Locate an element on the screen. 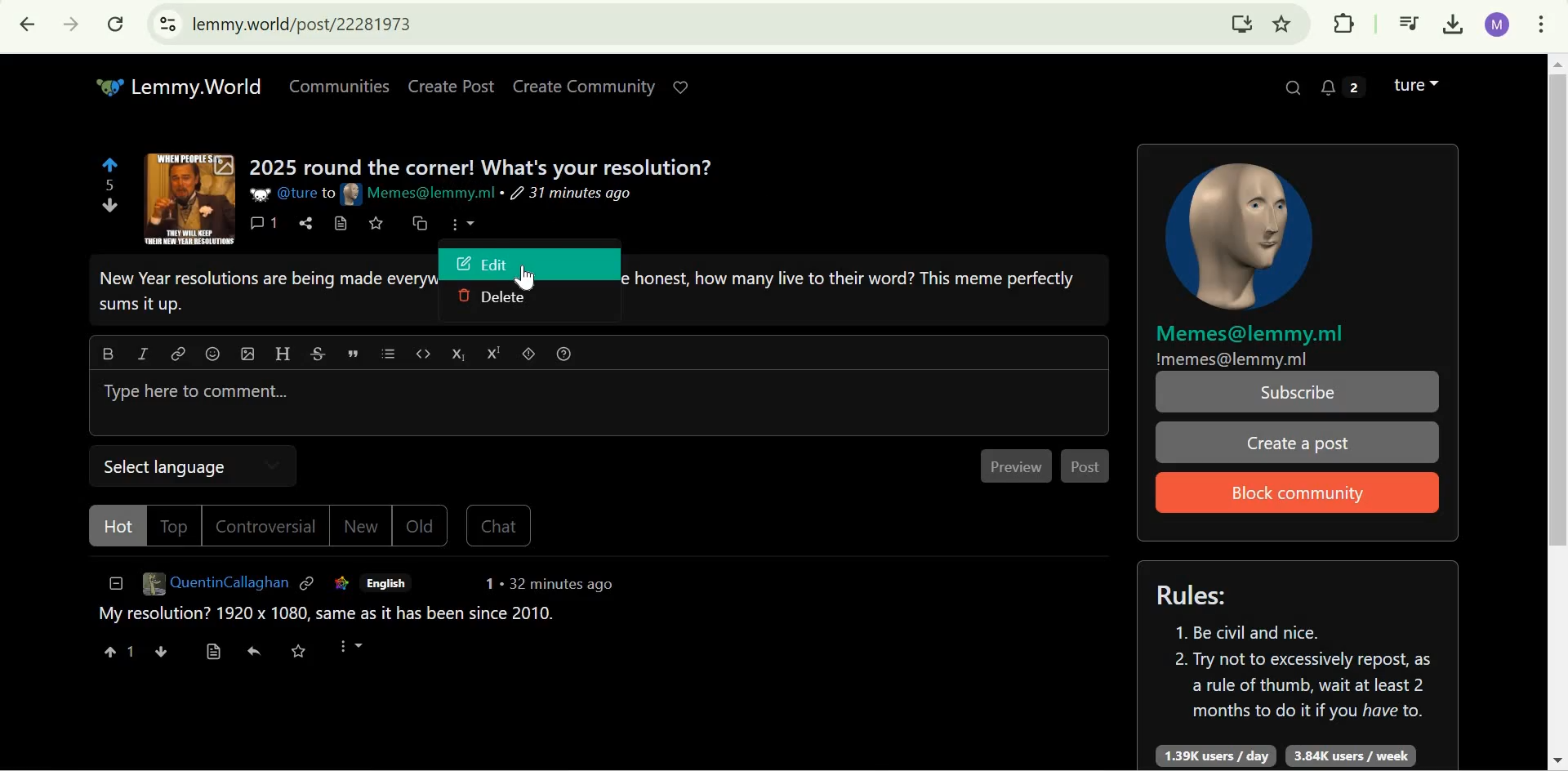 The image size is (1568, 771). Post is located at coordinates (1085, 467).